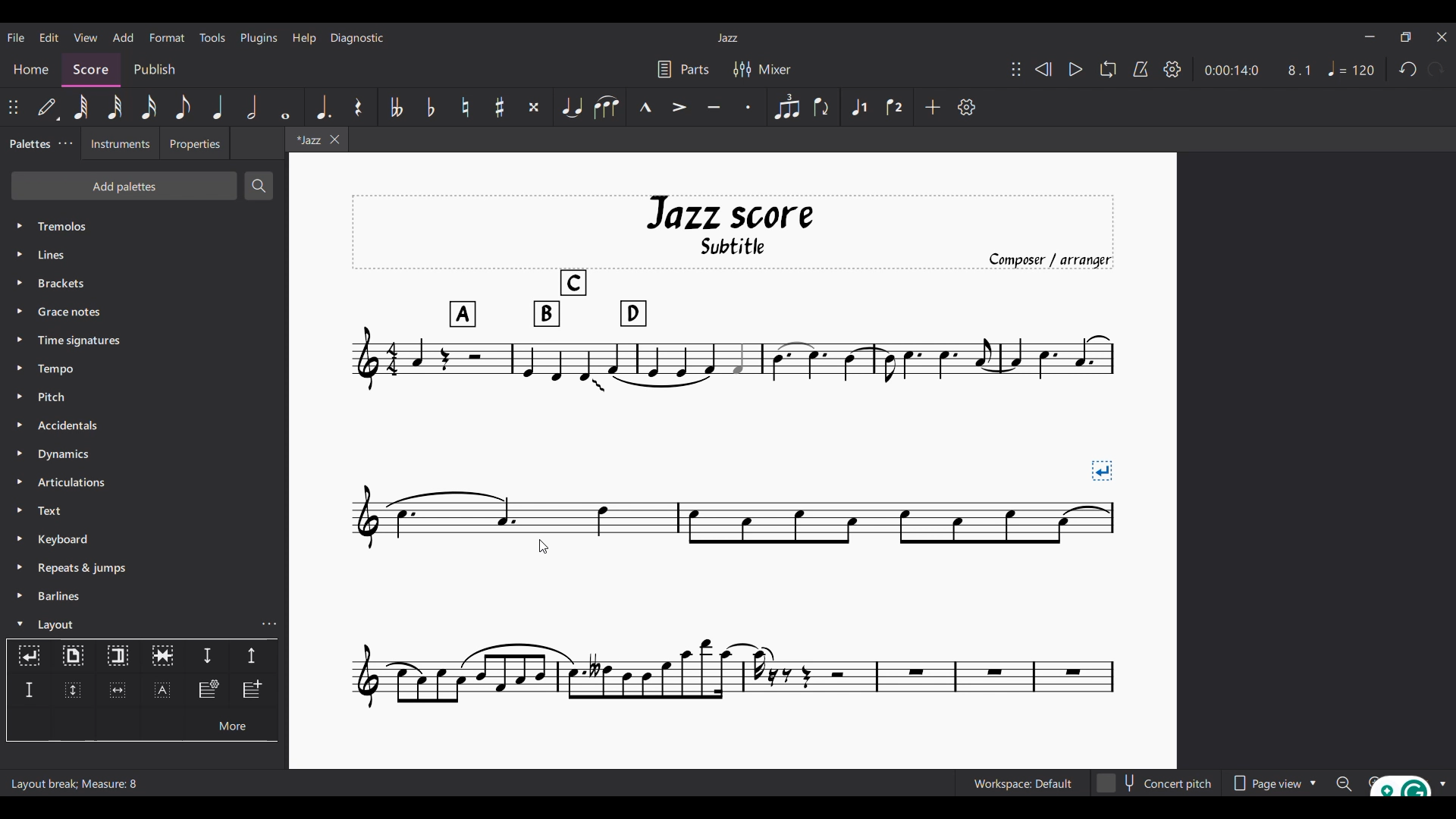 The height and width of the screenshot is (819, 1456). Describe the element at coordinates (932, 107) in the screenshot. I see `Add` at that location.